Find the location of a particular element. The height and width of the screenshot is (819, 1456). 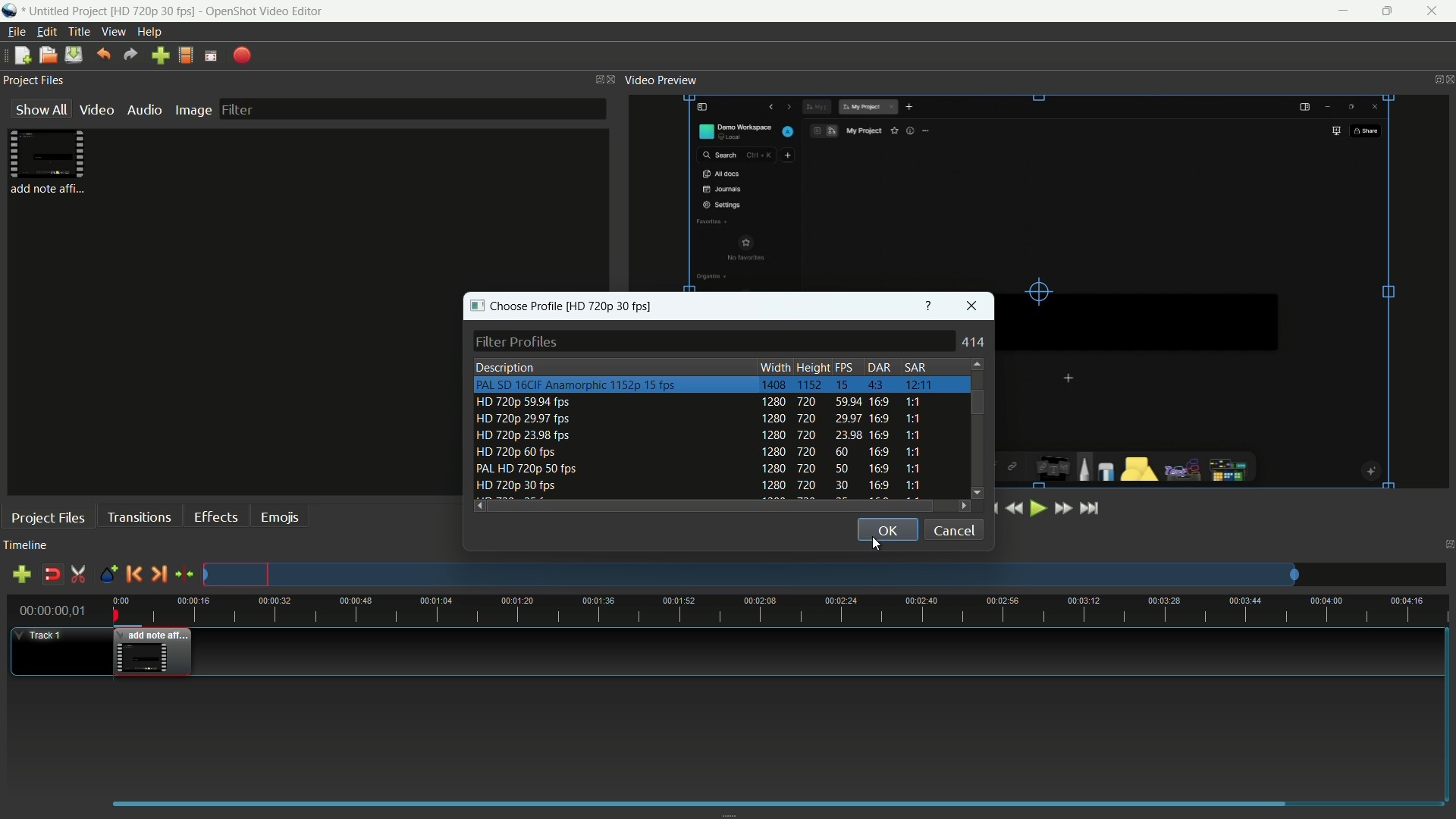

effects is located at coordinates (215, 516).